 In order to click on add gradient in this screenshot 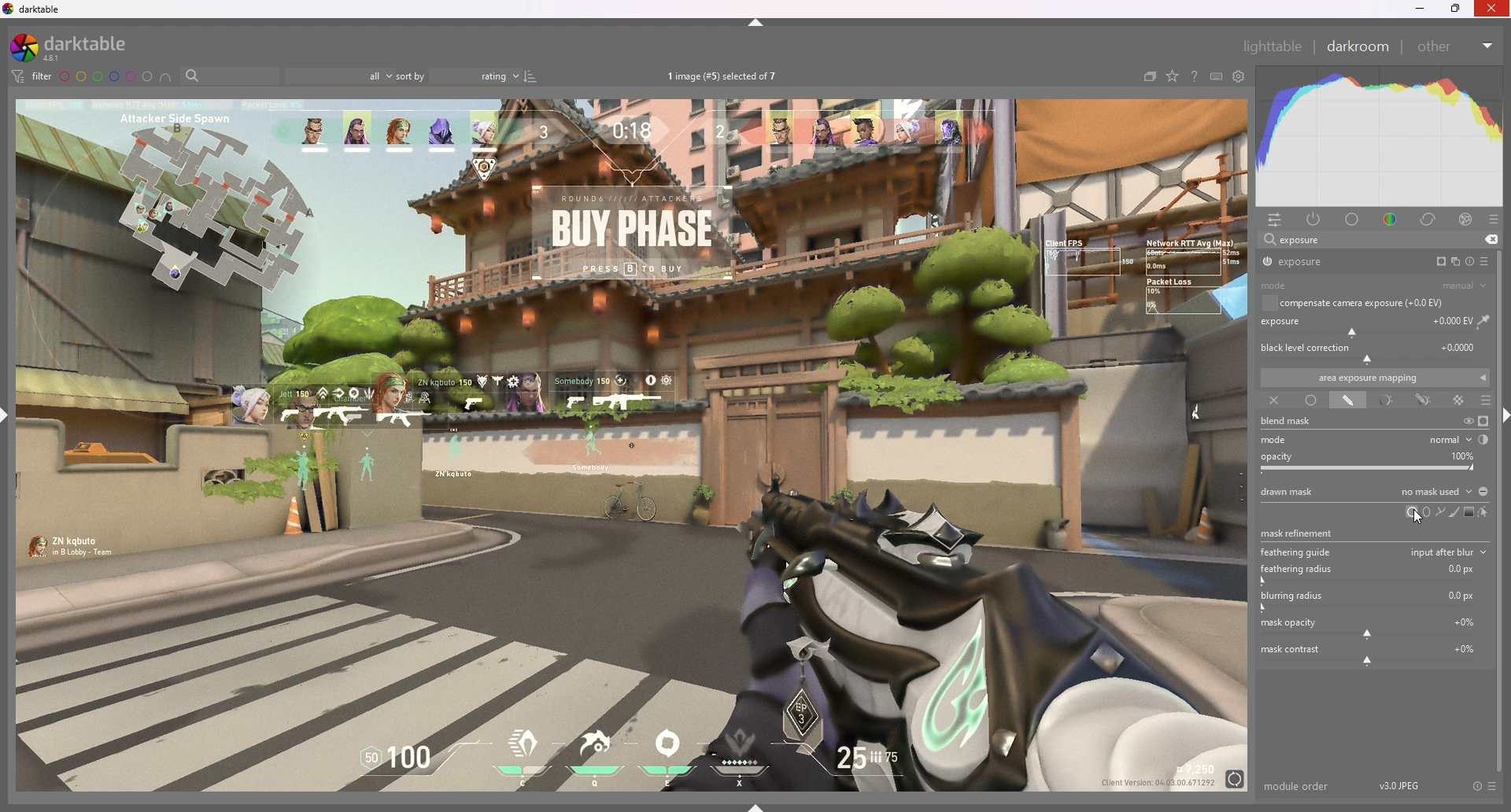, I will do `click(1468, 511)`.